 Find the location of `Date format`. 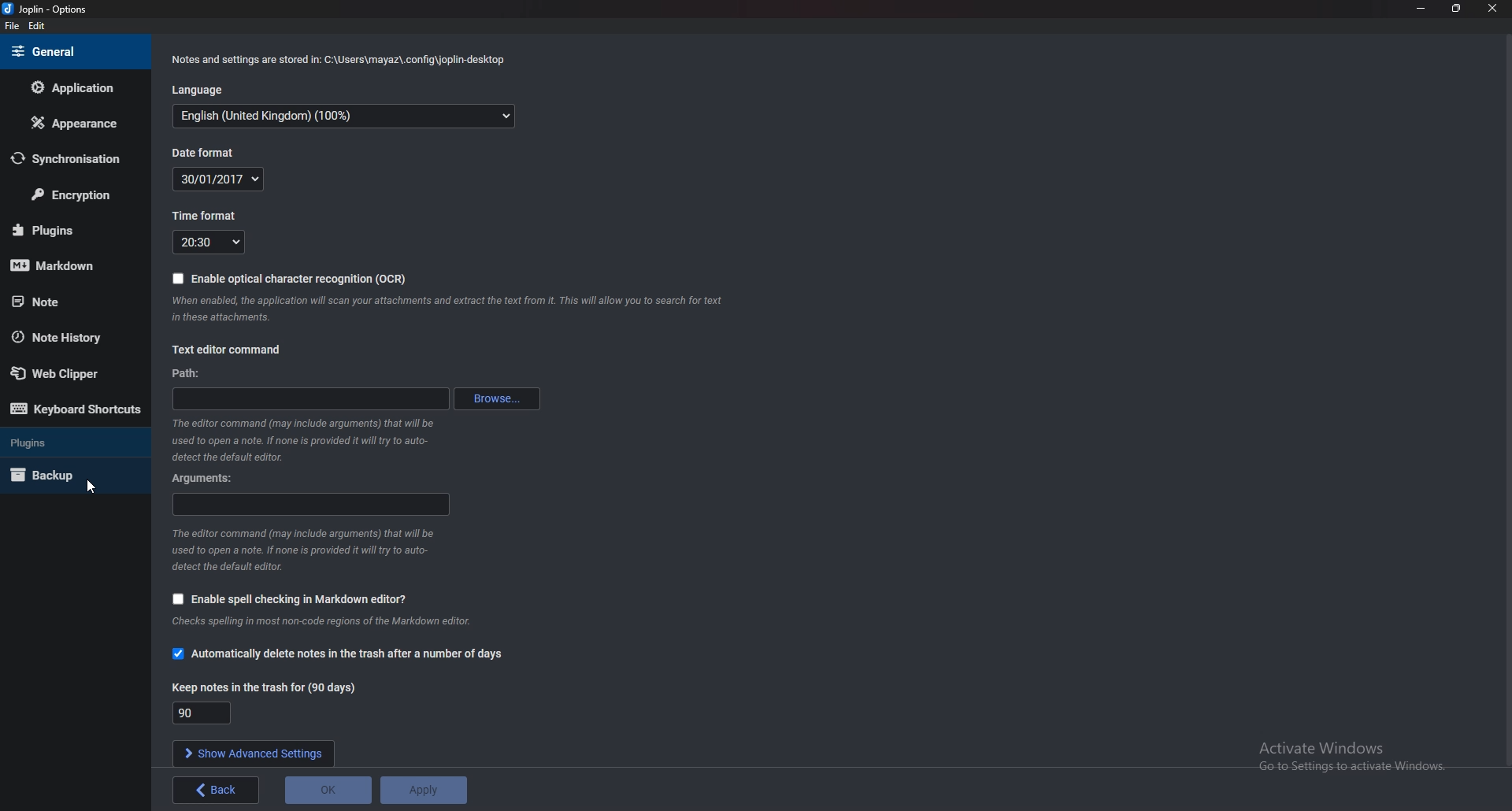

Date format is located at coordinates (218, 179).